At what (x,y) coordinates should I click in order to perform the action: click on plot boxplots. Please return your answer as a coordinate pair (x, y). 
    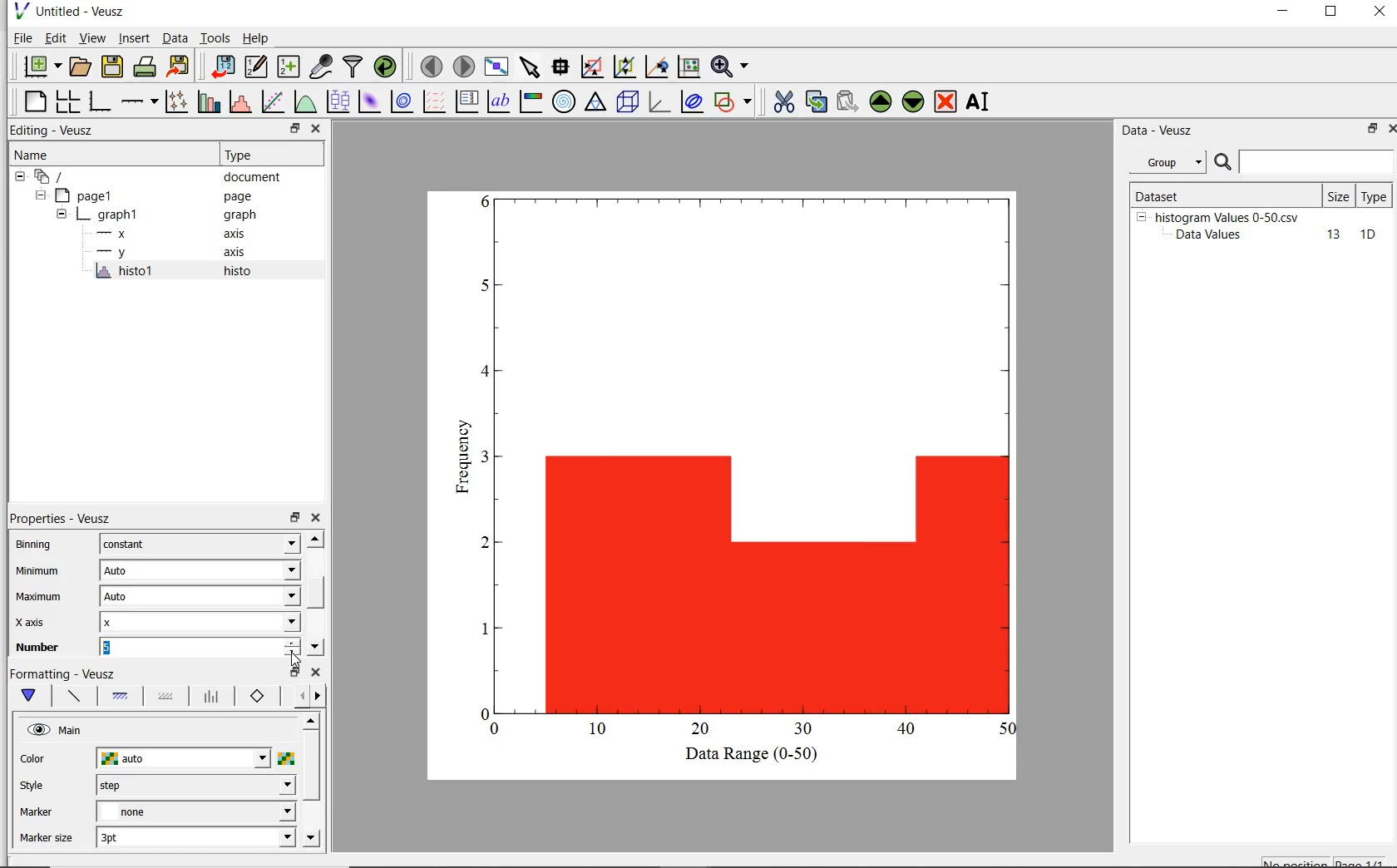
    Looking at the image, I should click on (338, 101).